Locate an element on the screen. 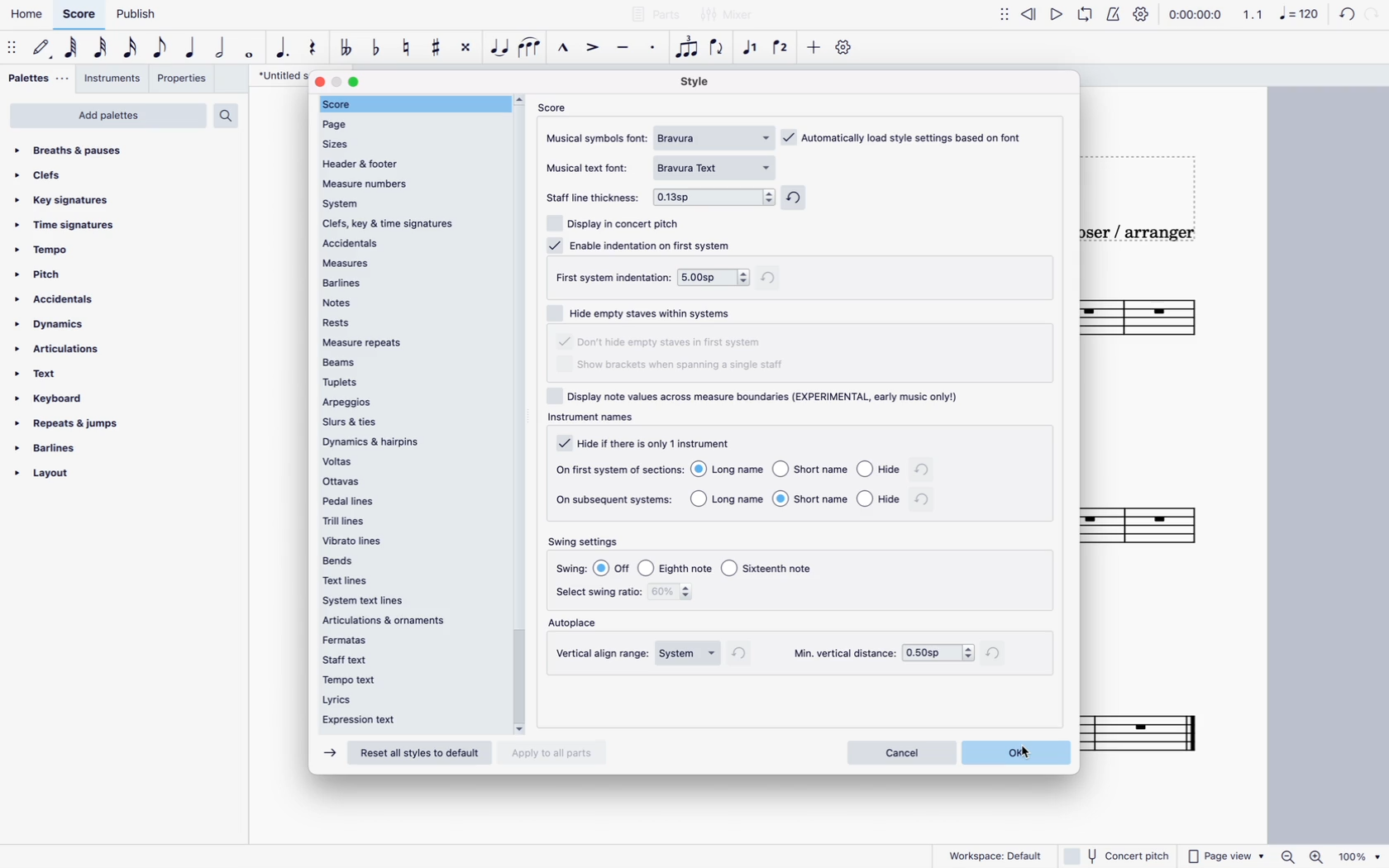 The height and width of the screenshot is (868, 1389). cancel is located at coordinates (902, 753).